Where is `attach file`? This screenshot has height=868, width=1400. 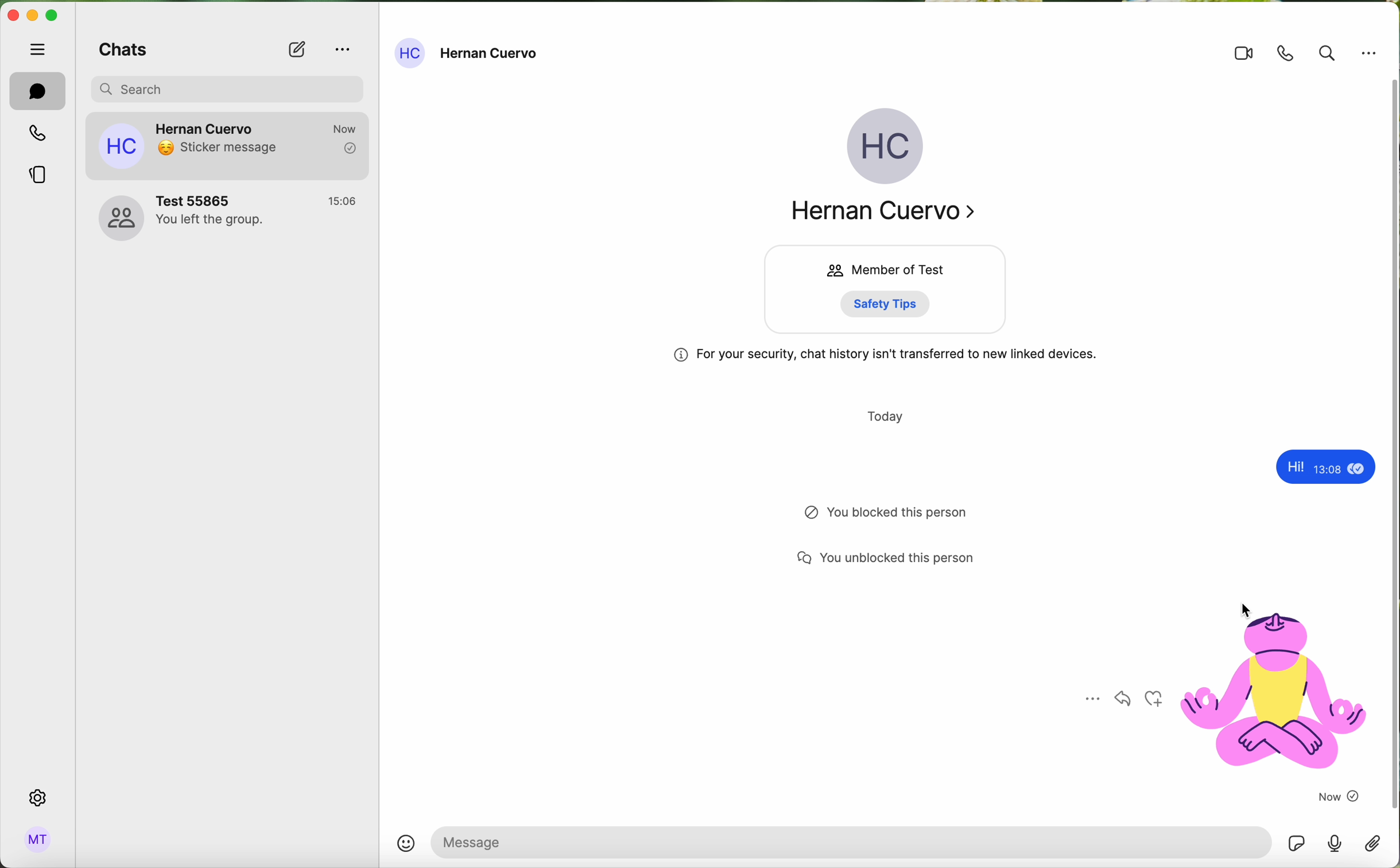 attach file is located at coordinates (1371, 847).